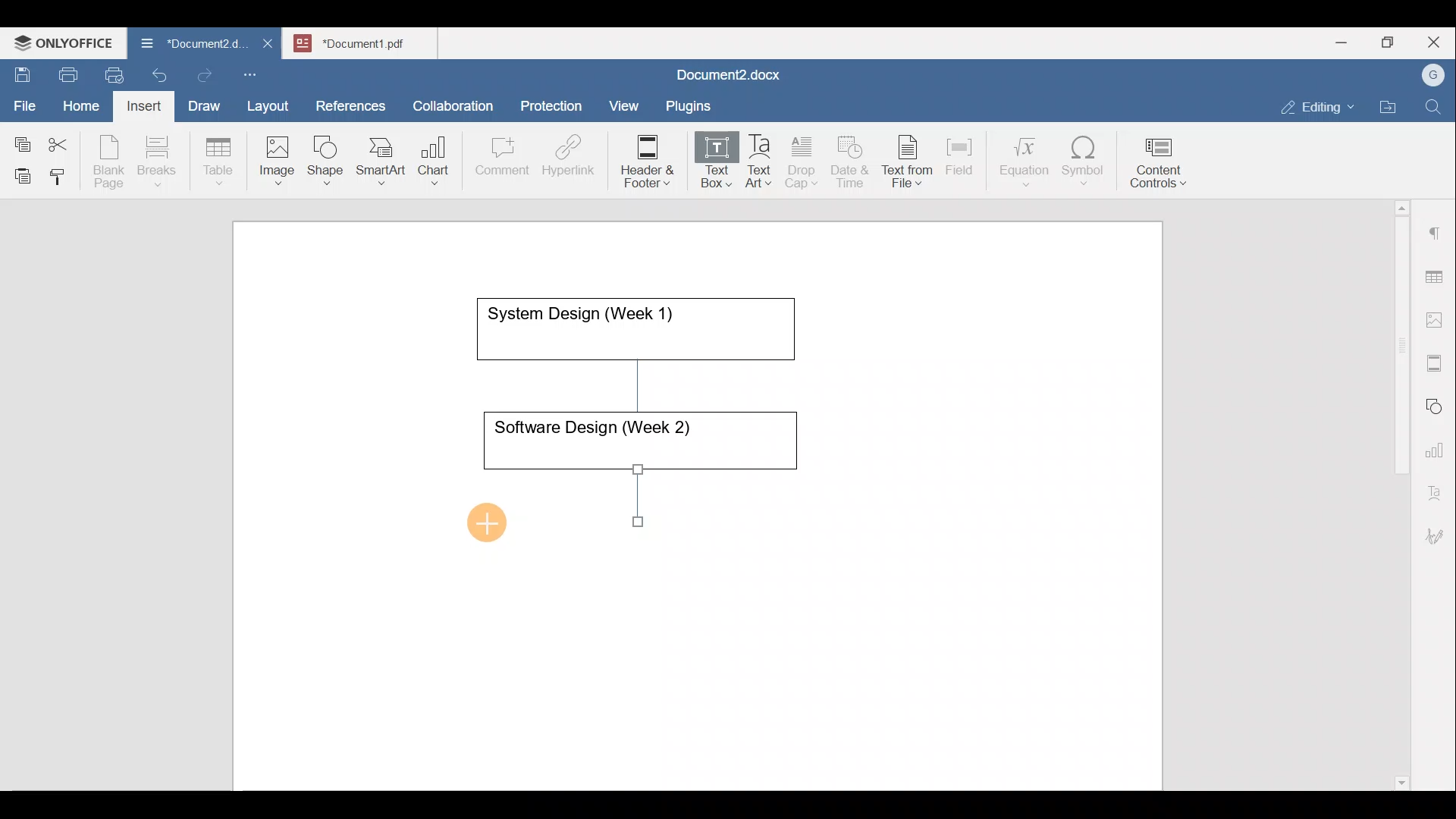  I want to click on ONLYOFFICE, so click(64, 42).